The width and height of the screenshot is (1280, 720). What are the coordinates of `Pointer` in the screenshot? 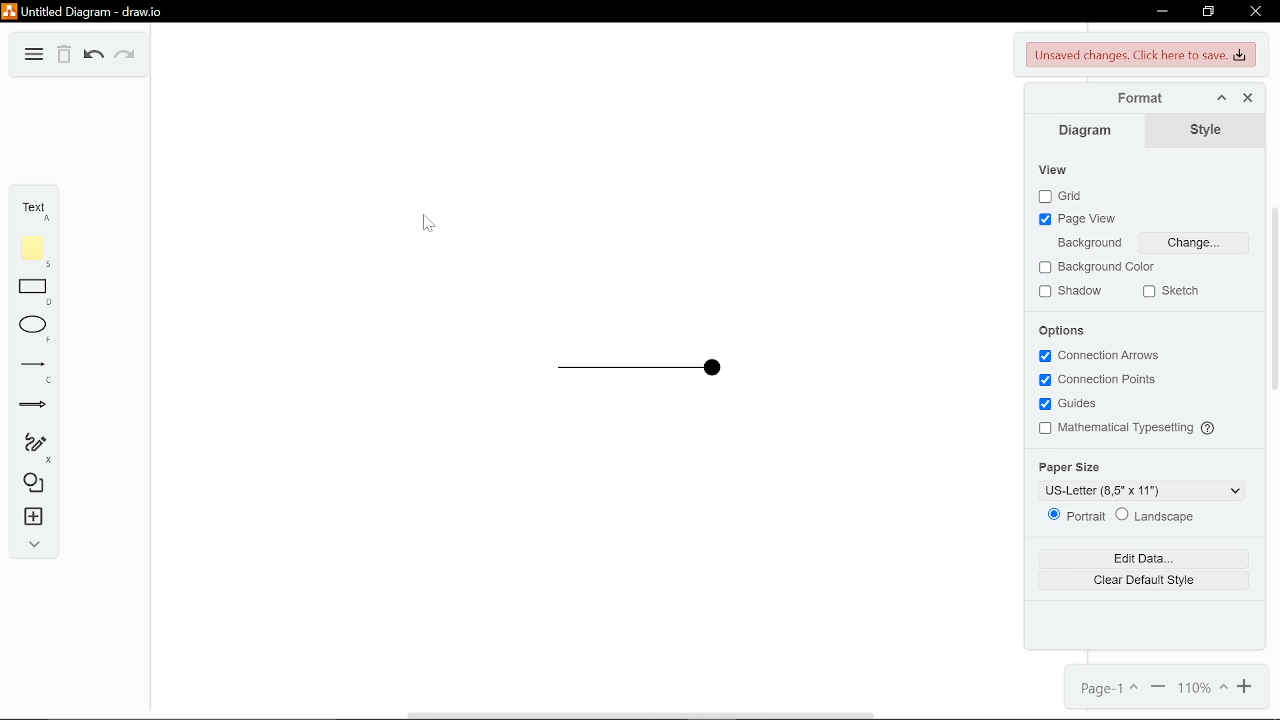 It's located at (429, 223).